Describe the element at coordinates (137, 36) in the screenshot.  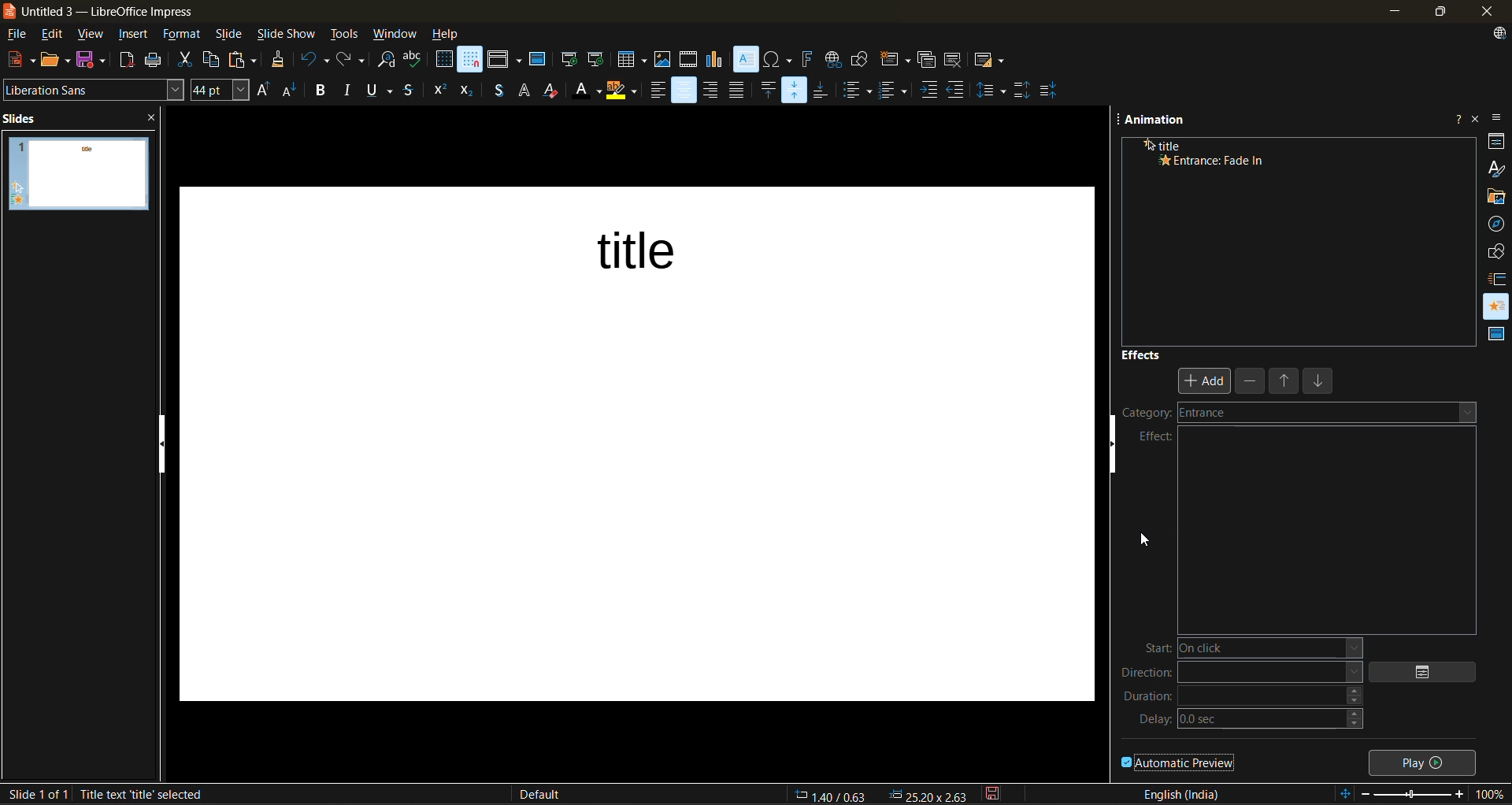
I see `insert` at that location.